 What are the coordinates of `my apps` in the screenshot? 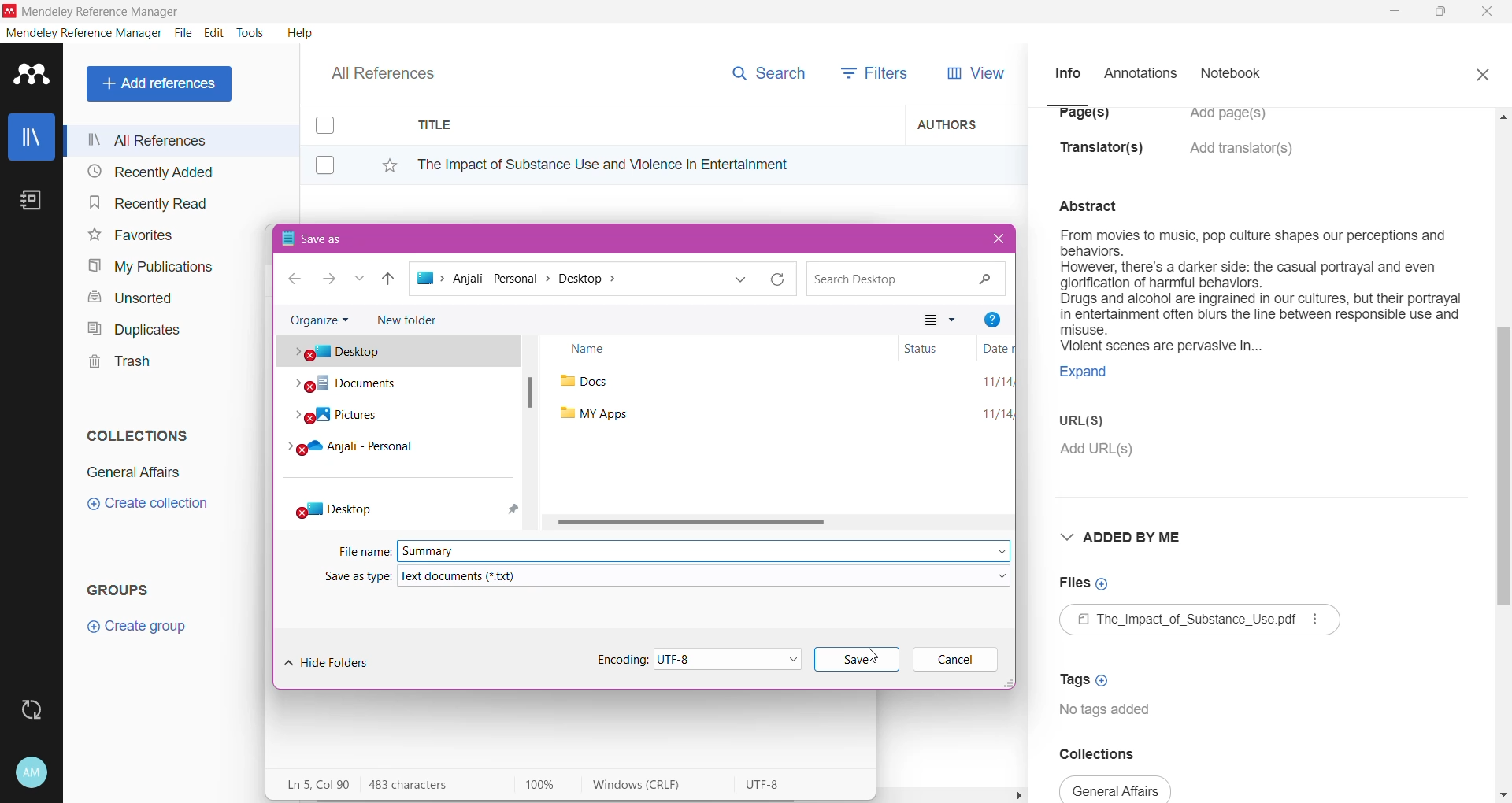 It's located at (594, 414).